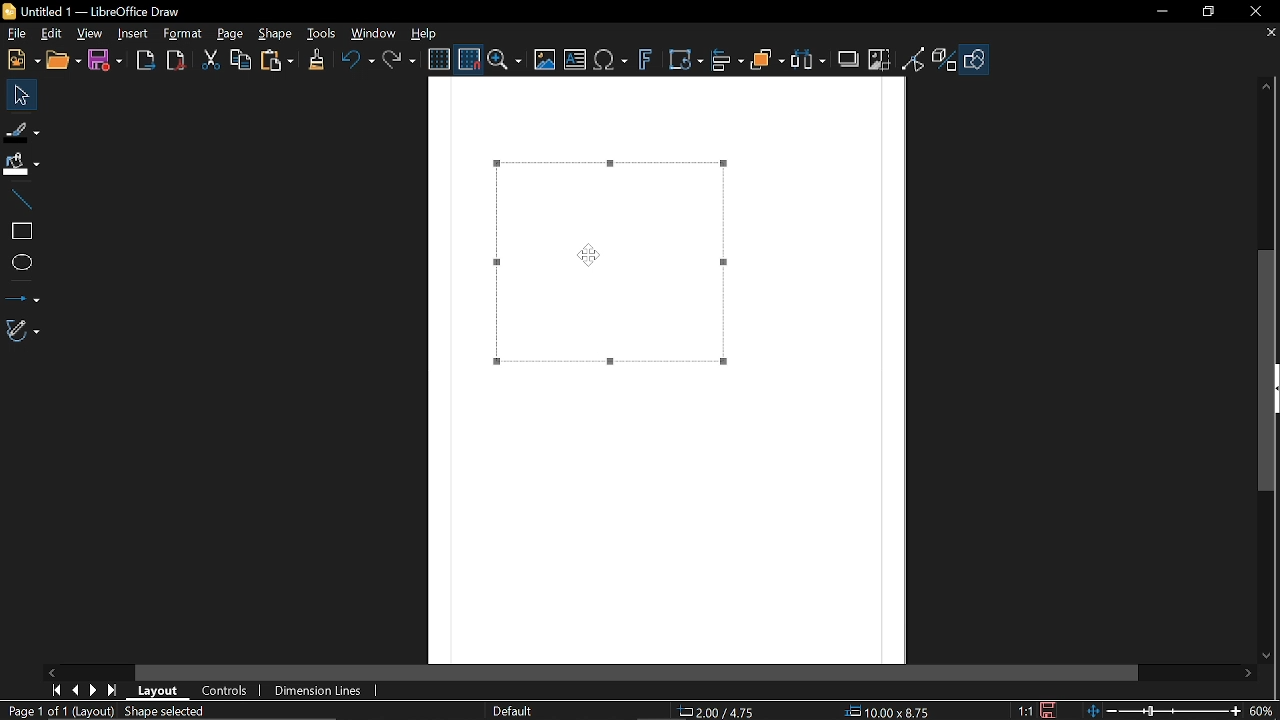  What do you see at coordinates (439, 60) in the screenshot?
I see `Display grid` at bounding box center [439, 60].